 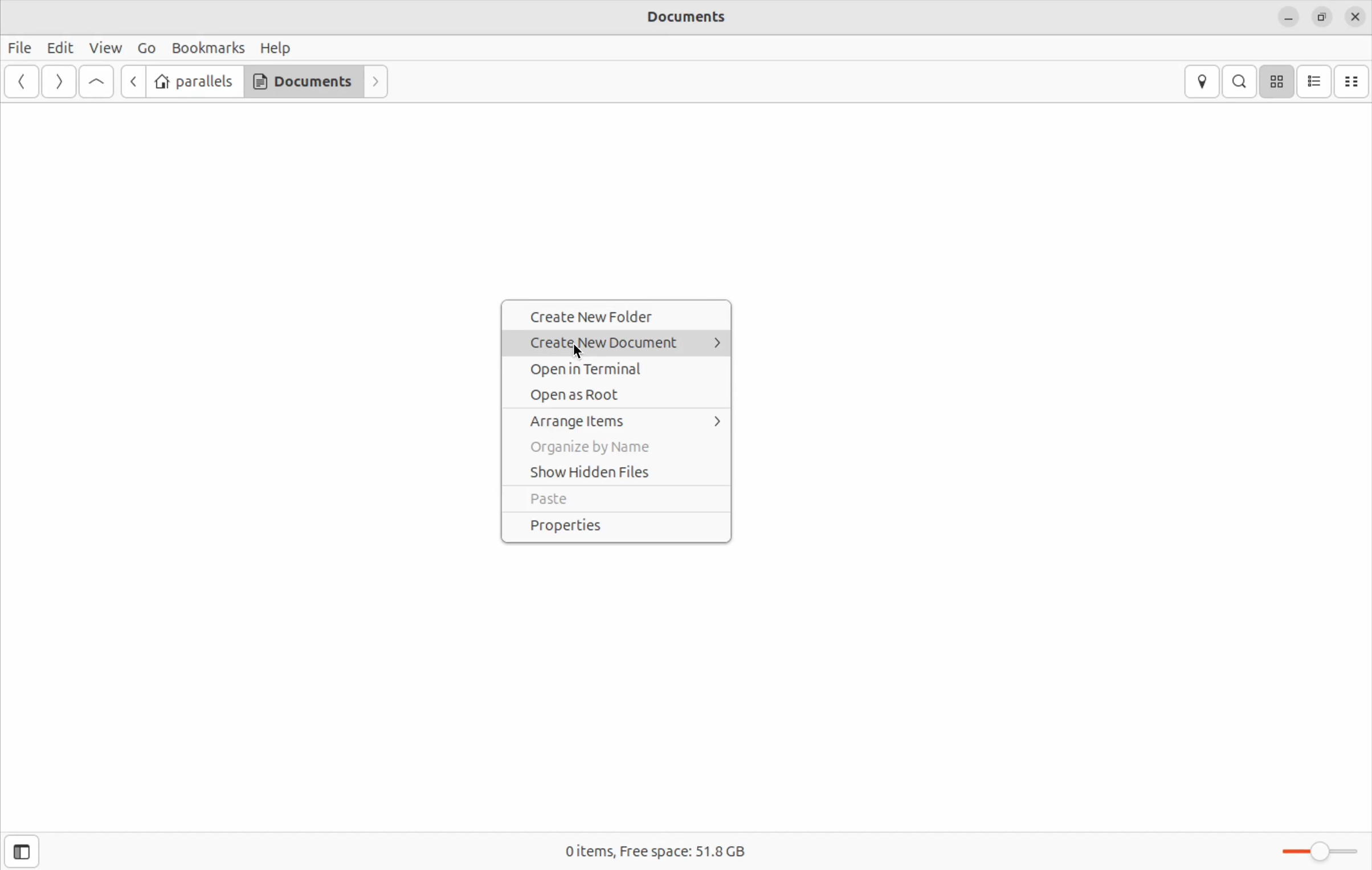 What do you see at coordinates (59, 48) in the screenshot?
I see `Edit` at bounding box center [59, 48].